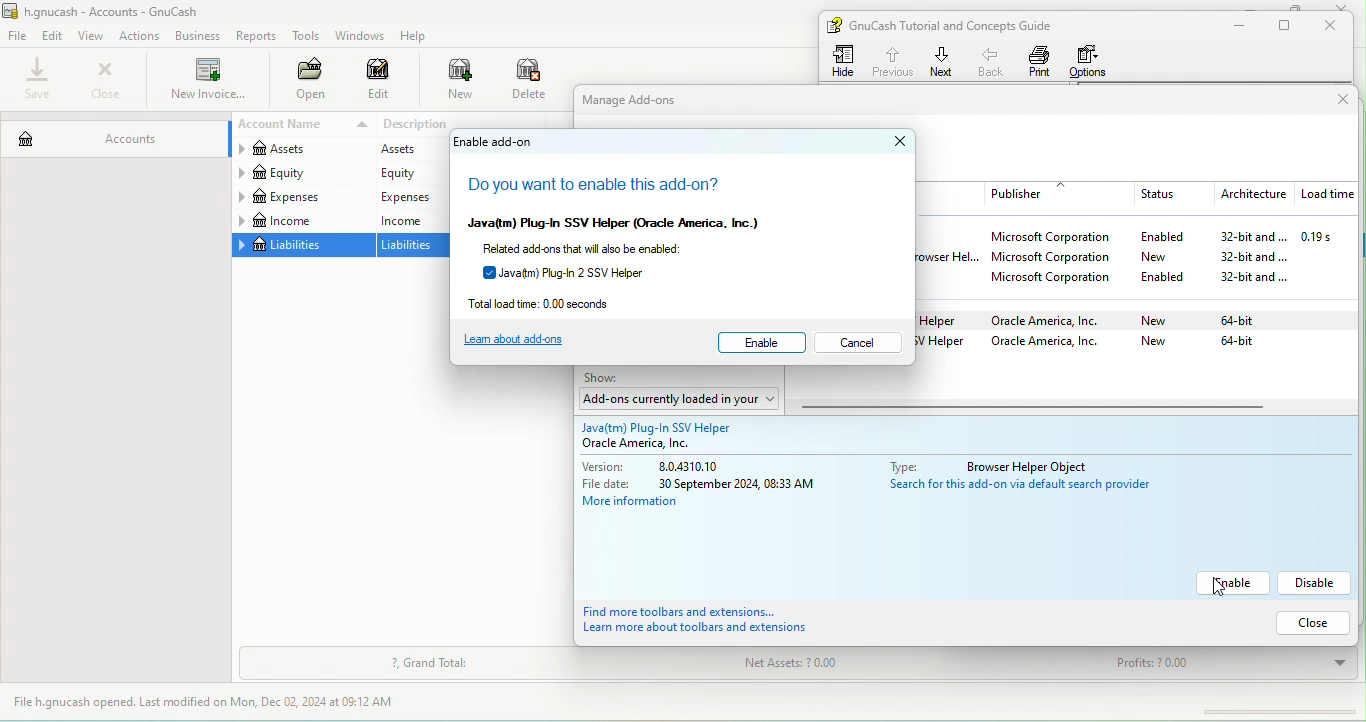 This screenshot has height=722, width=1366. I want to click on gnu cash tutorial and concepts guide, so click(959, 25).